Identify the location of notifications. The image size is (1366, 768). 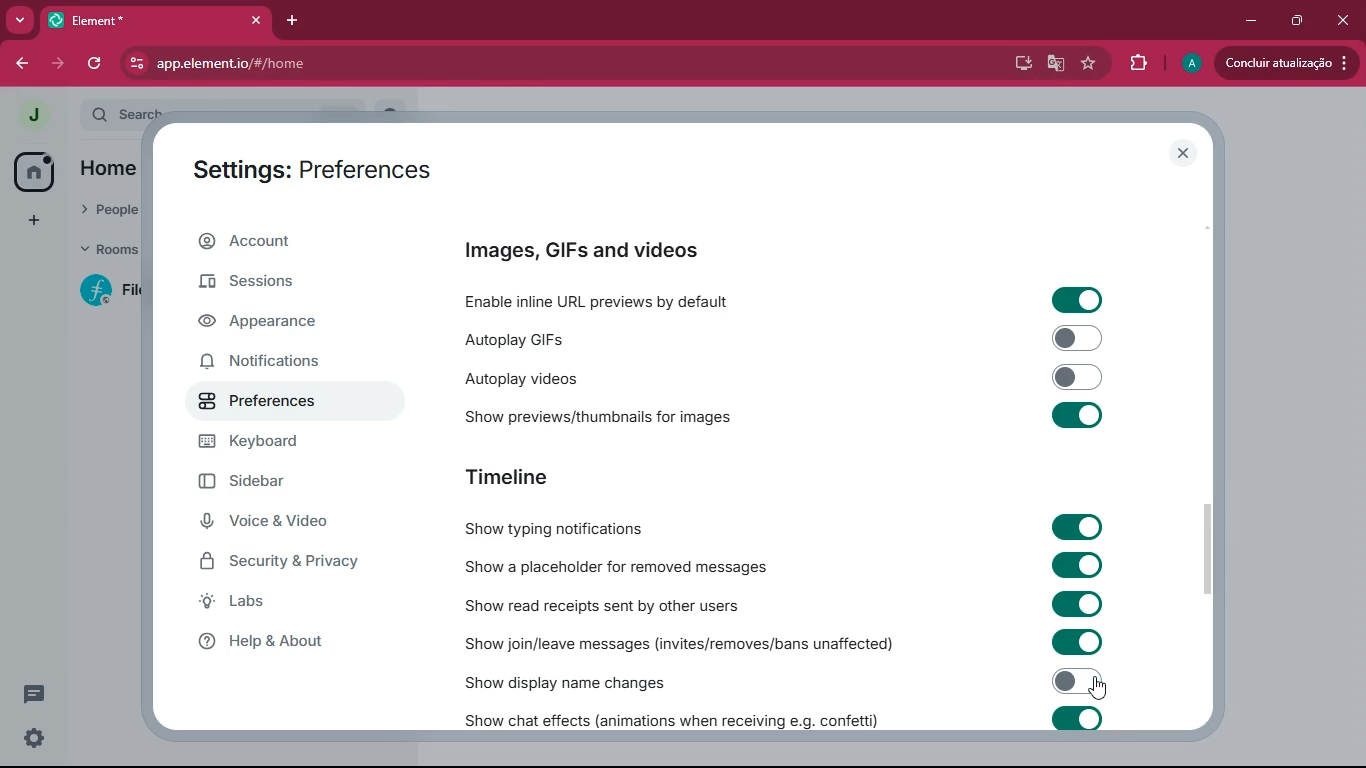
(259, 363).